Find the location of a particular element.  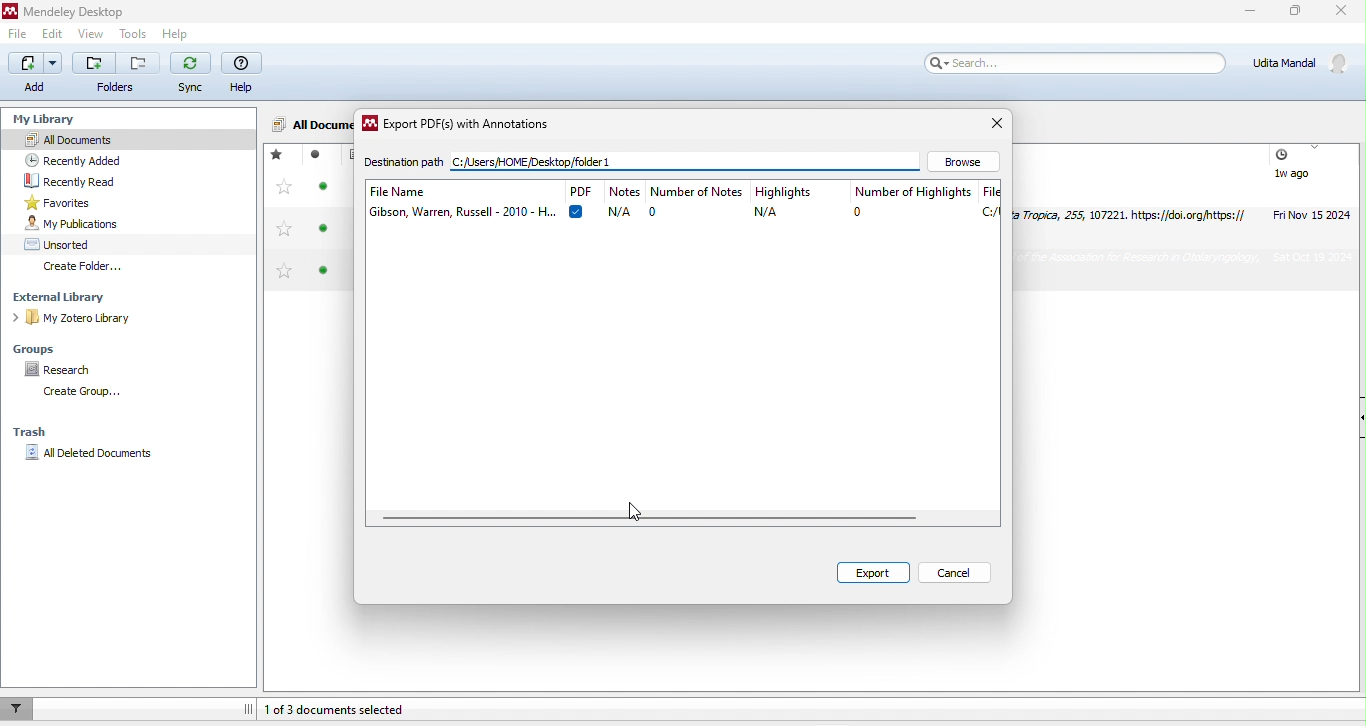

pdf is located at coordinates (579, 199).